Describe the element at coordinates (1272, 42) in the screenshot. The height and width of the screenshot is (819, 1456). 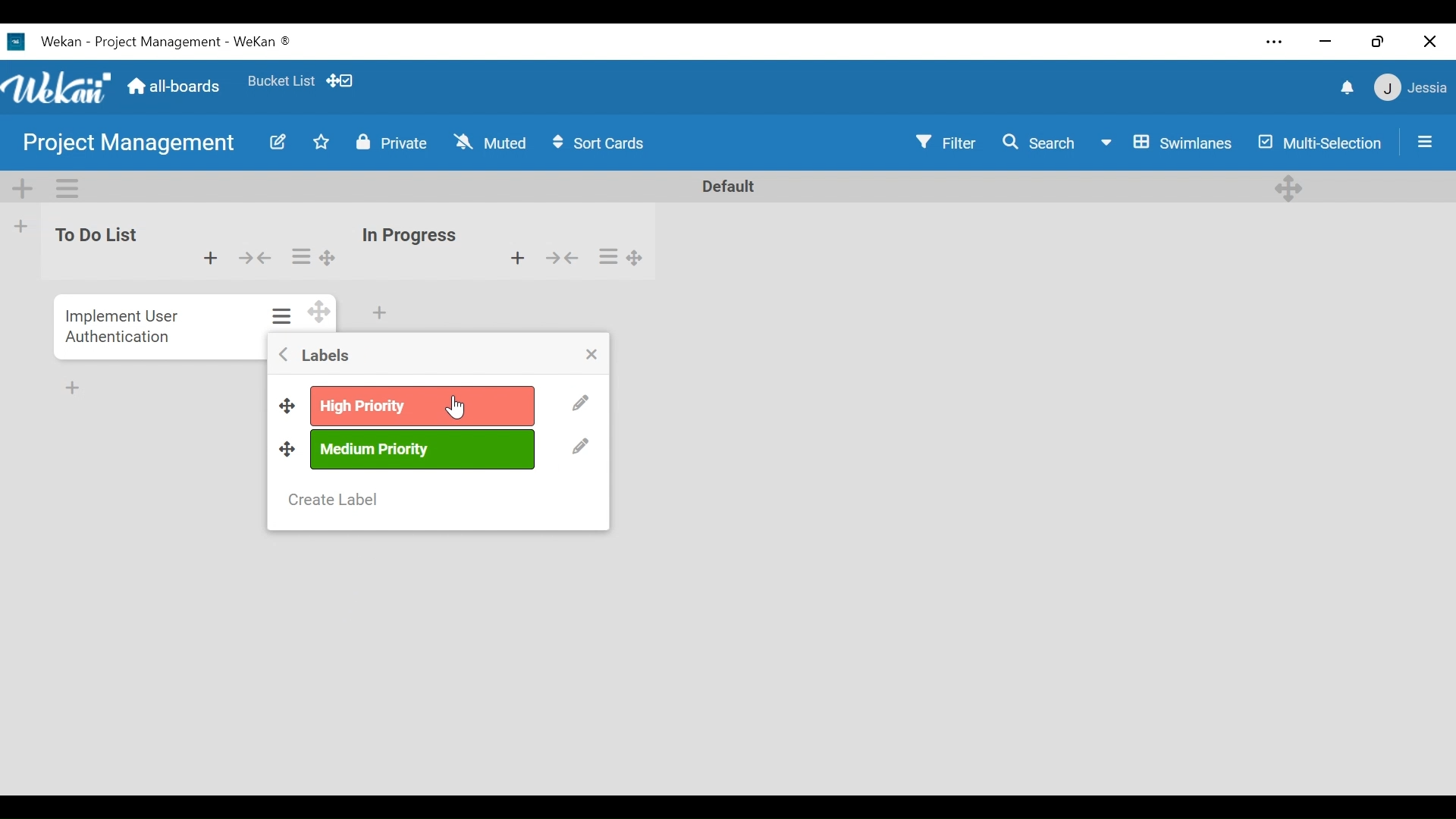
I see `settings and more` at that location.